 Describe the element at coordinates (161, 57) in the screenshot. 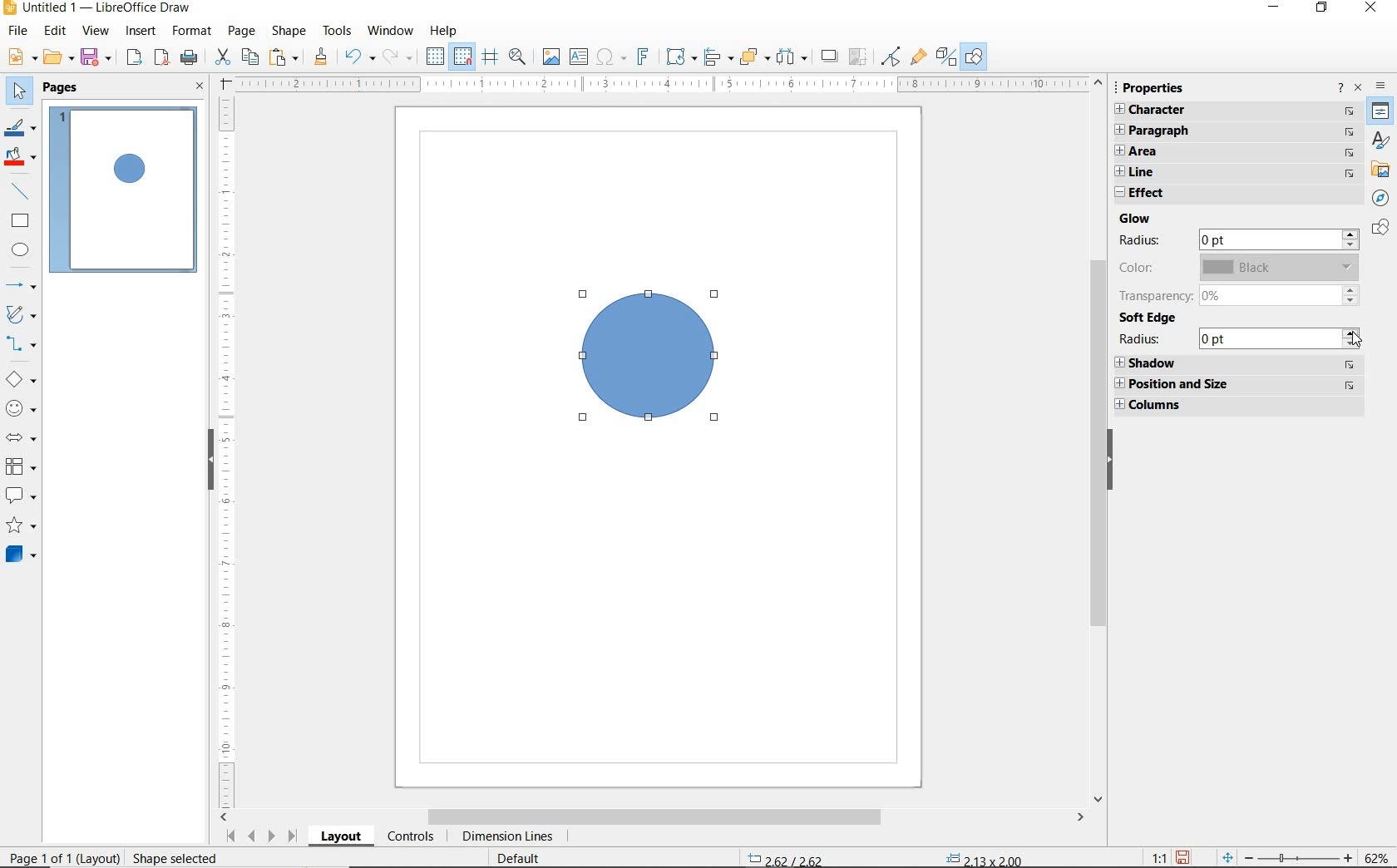

I see `EXPORT AS PDF` at that location.